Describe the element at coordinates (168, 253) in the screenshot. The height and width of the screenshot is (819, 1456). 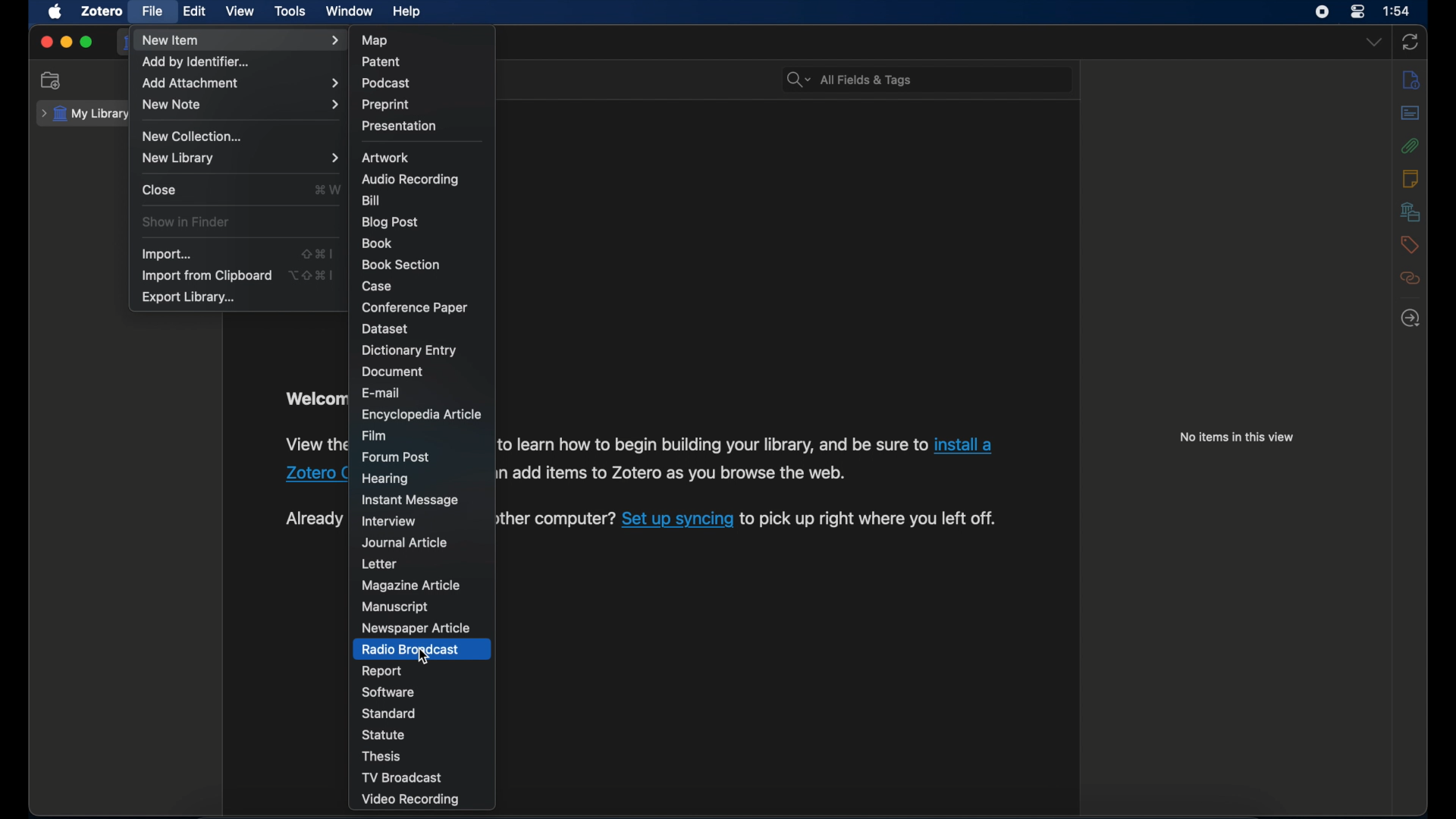
I see `import` at that location.